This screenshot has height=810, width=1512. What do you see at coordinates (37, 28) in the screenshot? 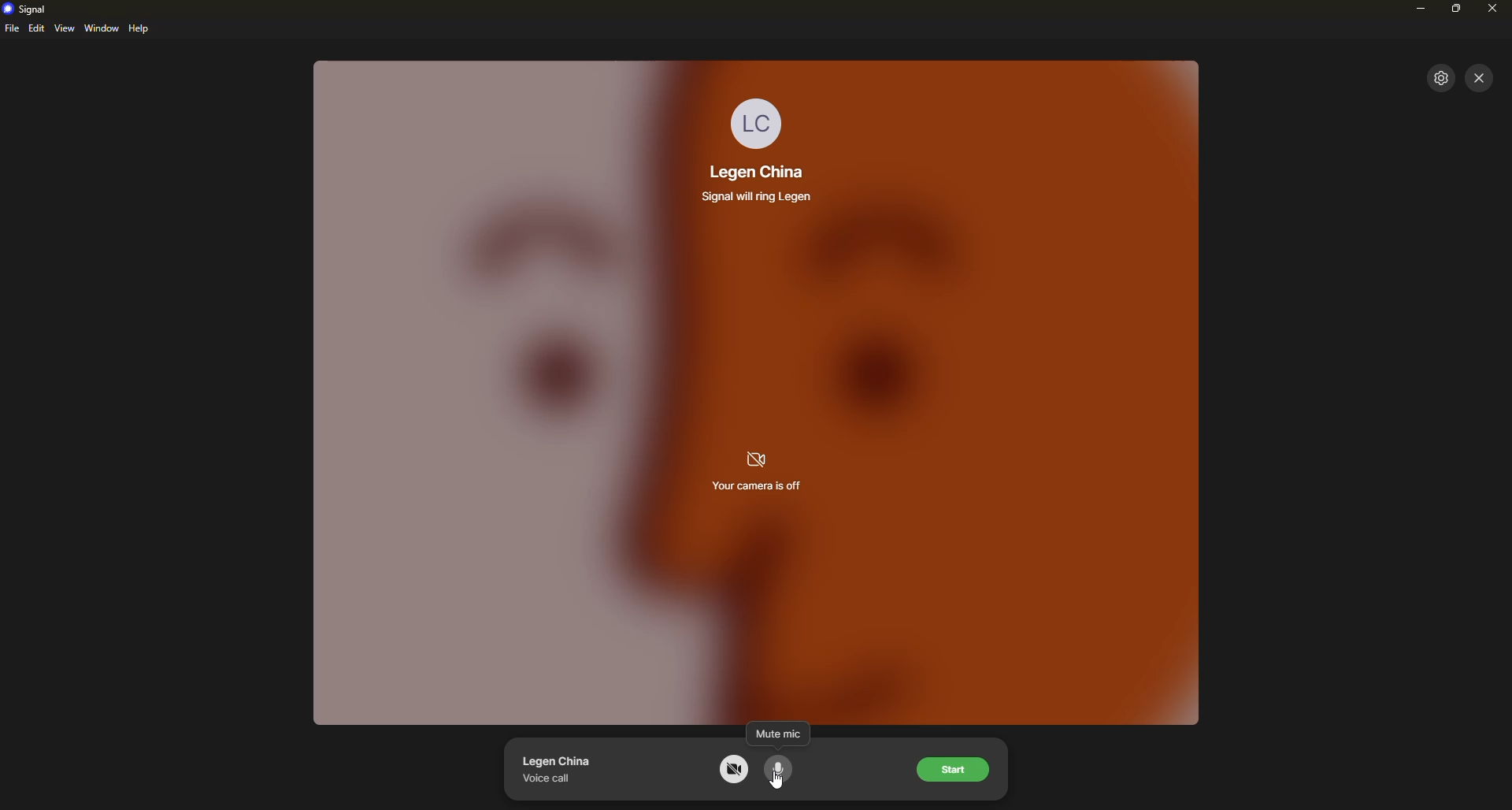
I see `edit` at bounding box center [37, 28].